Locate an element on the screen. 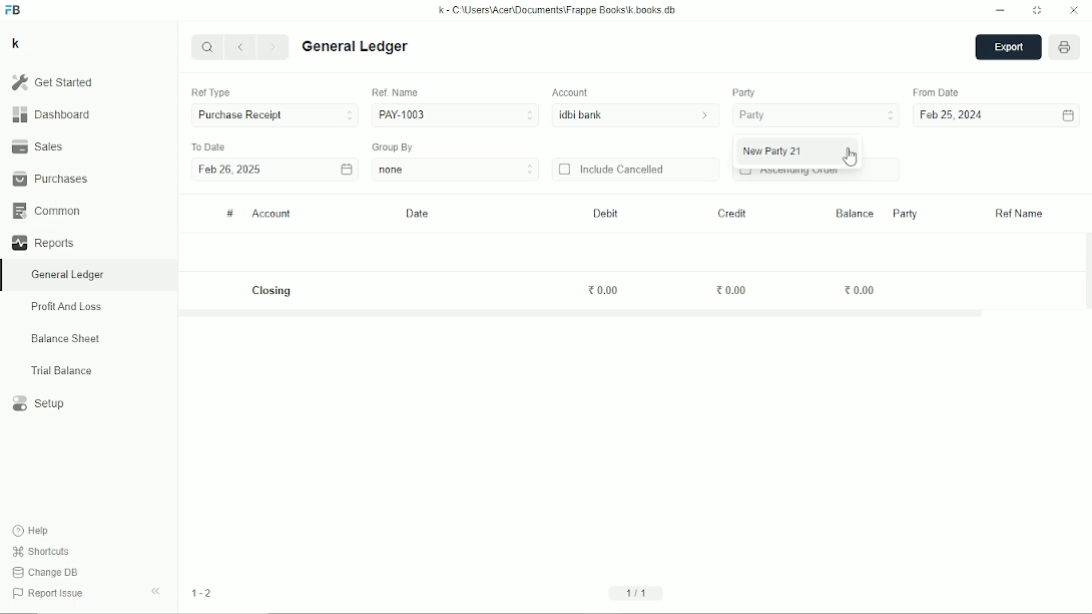  Trial balance is located at coordinates (62, 371).